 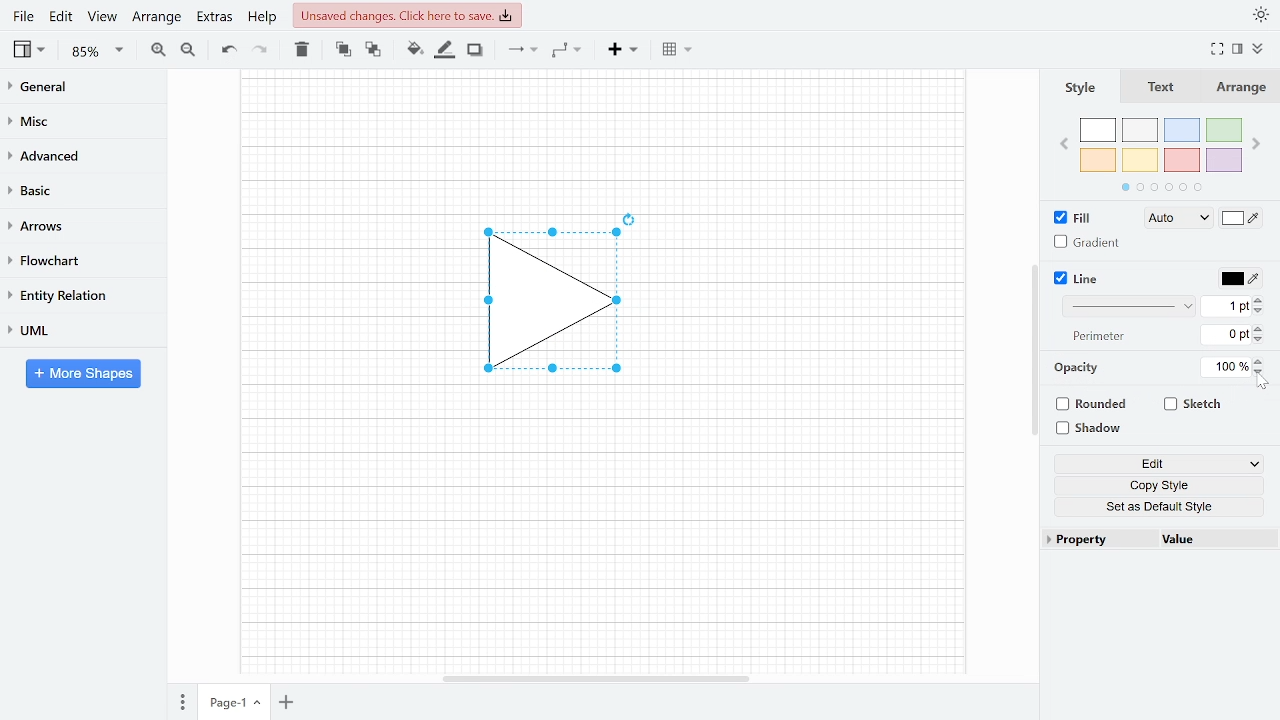 I want to click on To front, so click(x=343, y=49).